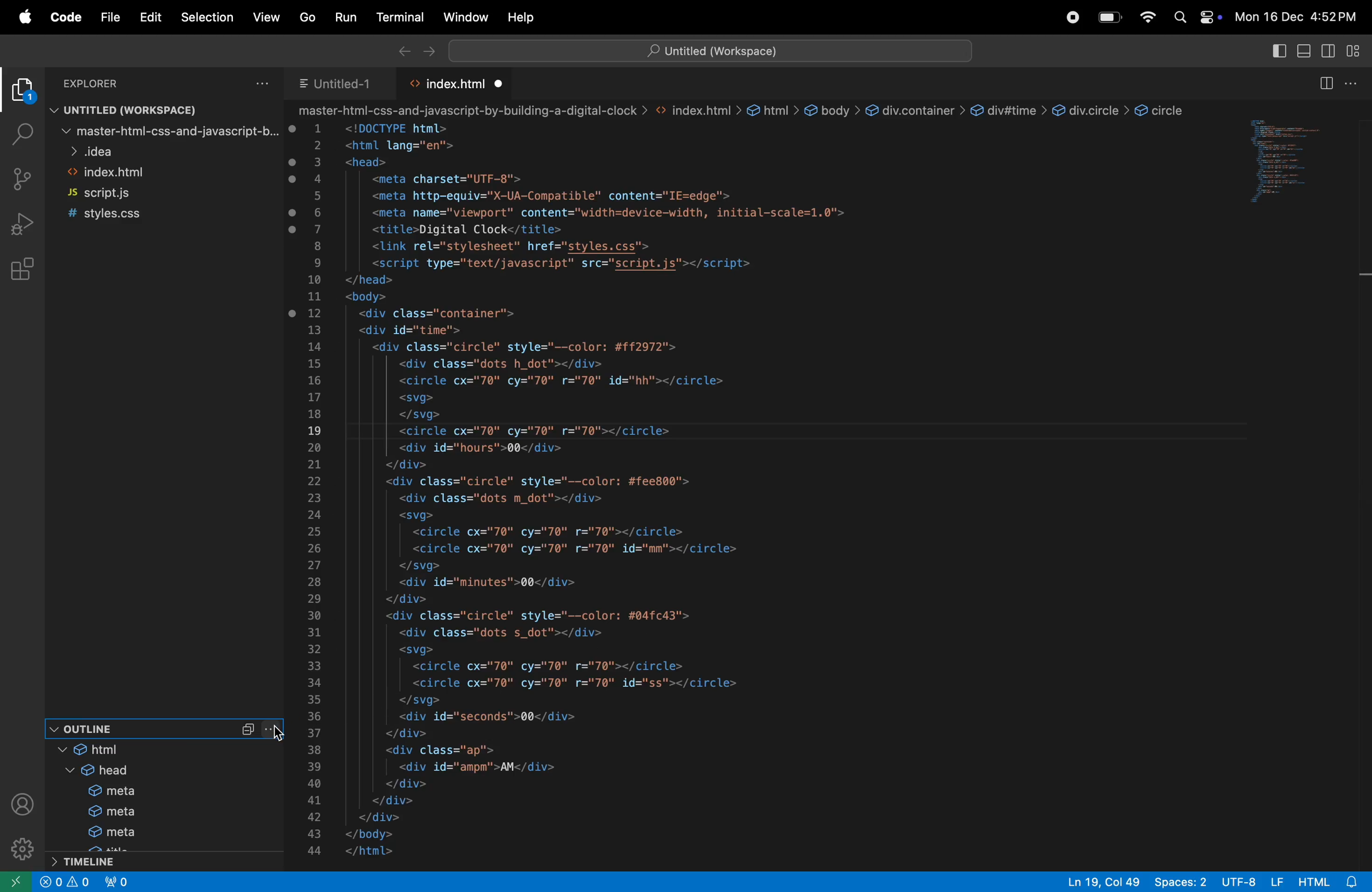  What do you see at coordinates (307, 18) in the screenshot?
I see `go` at bounding box center [307, 18].